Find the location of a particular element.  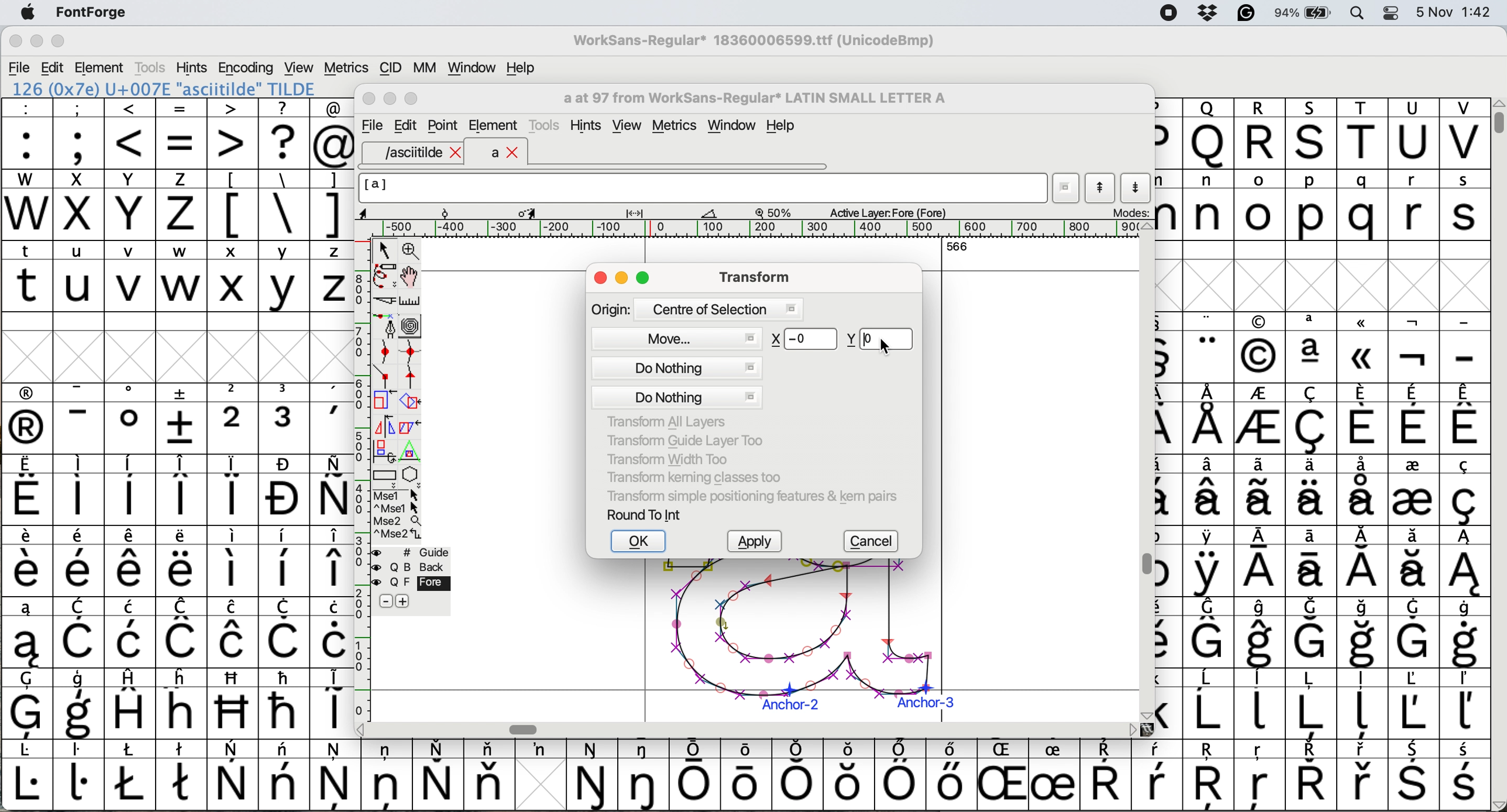

zoom in is located at coordinates (413, 252).